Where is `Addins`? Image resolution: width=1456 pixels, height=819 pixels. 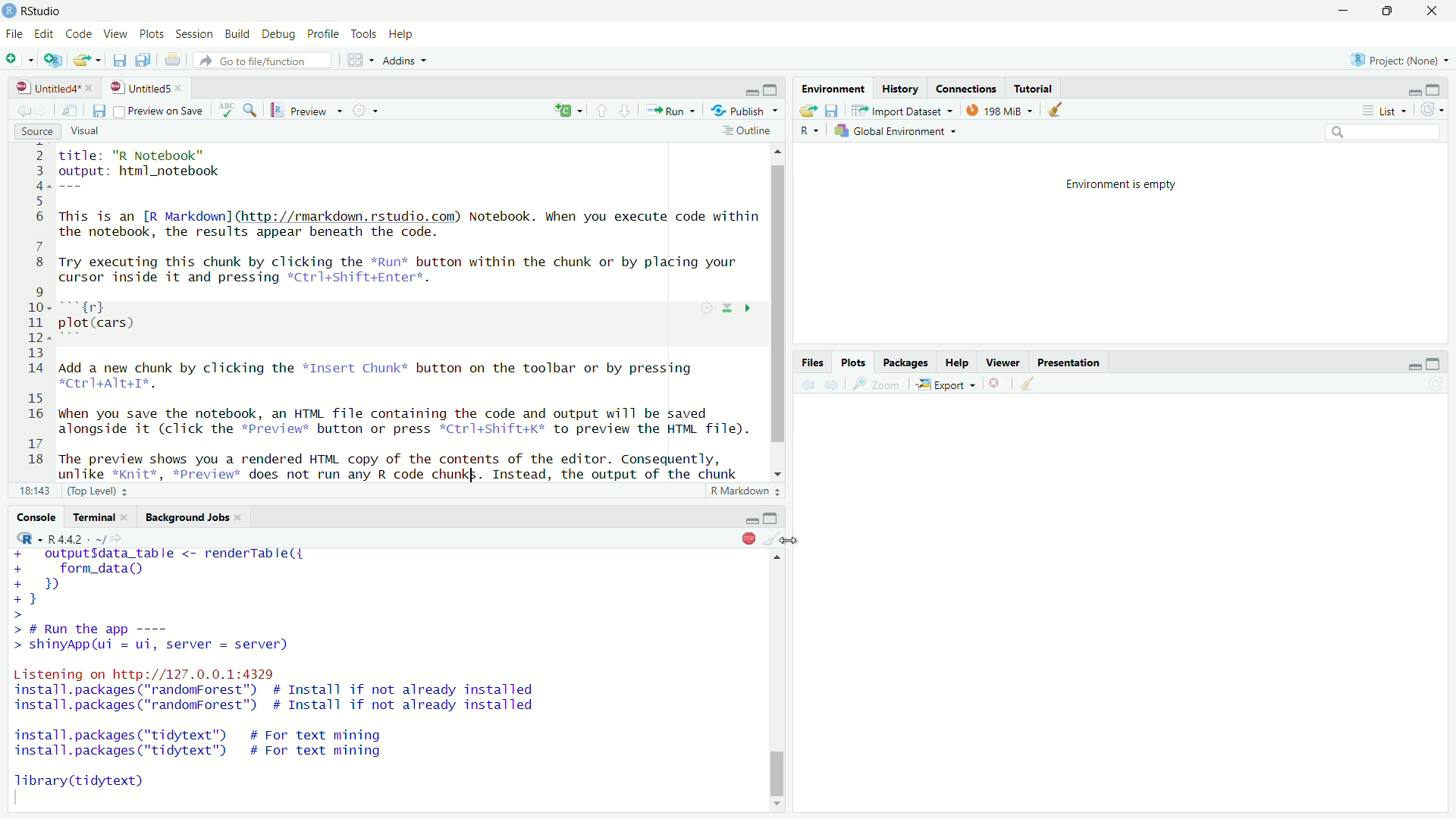
Addins is located at coordinates (408, 61).